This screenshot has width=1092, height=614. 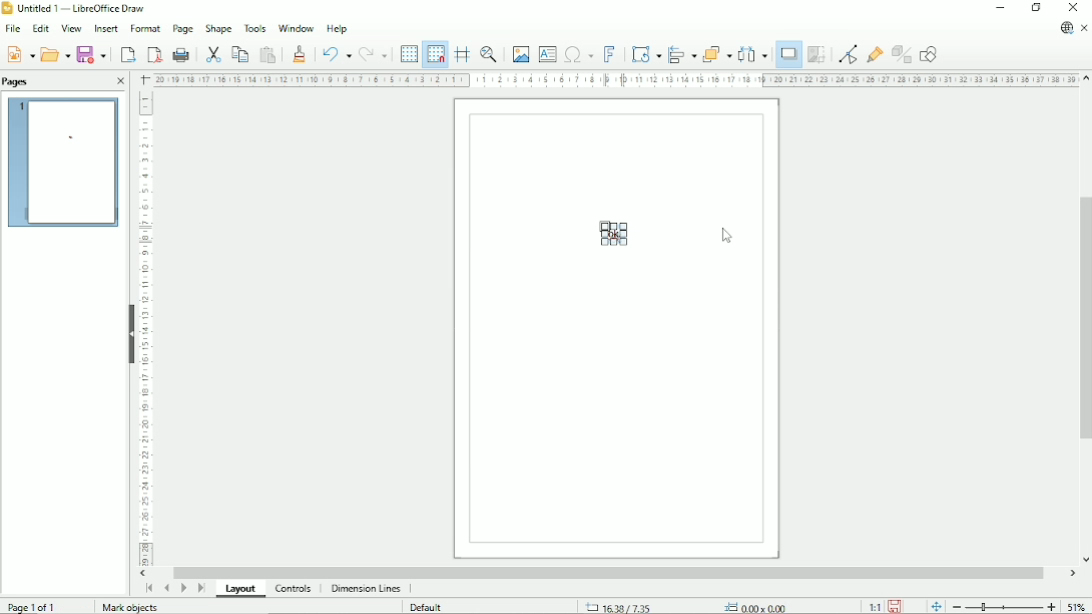 What do you see at coordinates (928, 53) in the screenshot?
I see `Show draw functions` at bounding box center [928, 53].